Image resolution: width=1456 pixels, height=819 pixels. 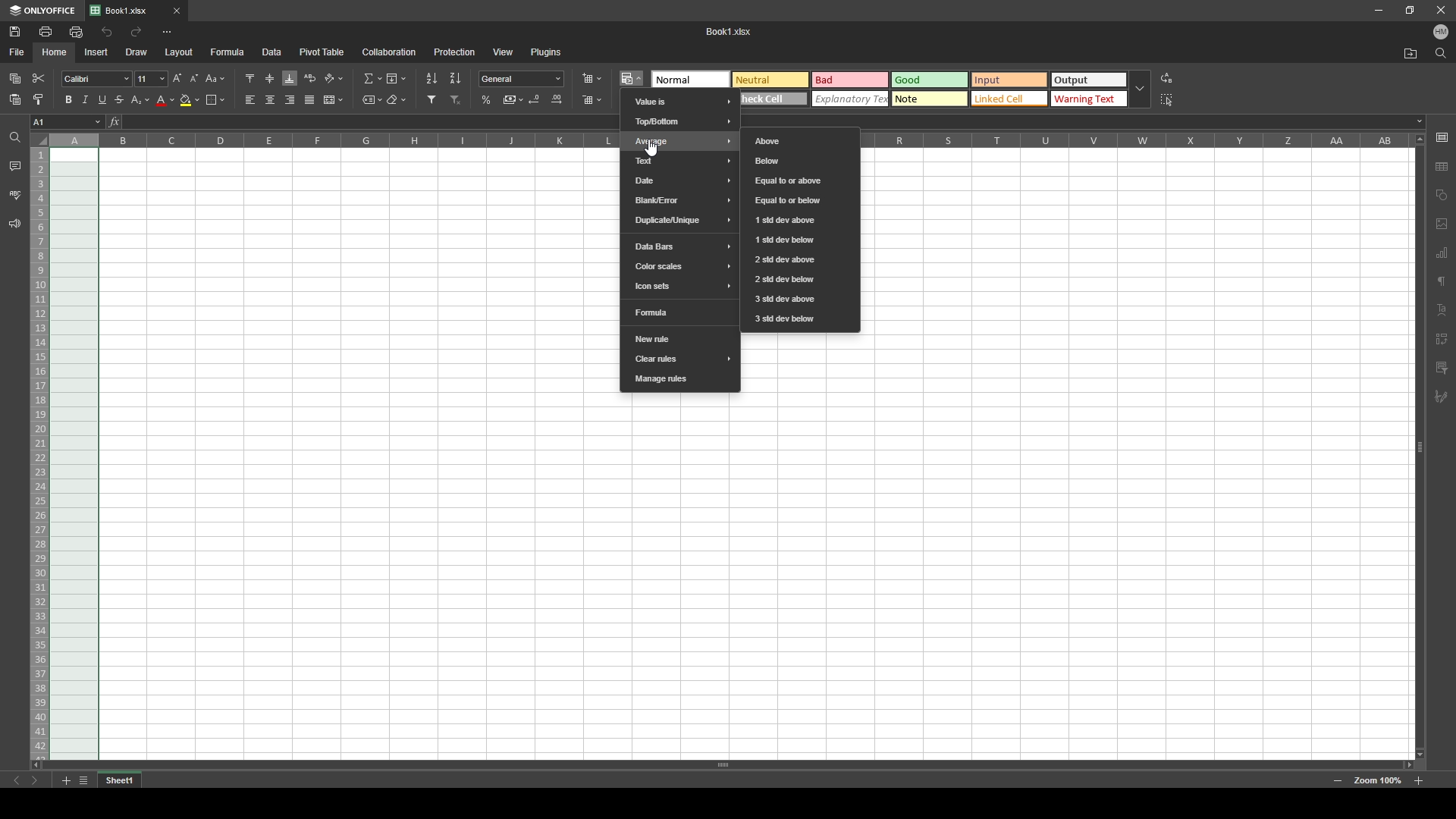 I want to click on Booki .Xlsx, so click(x=730, y=31).